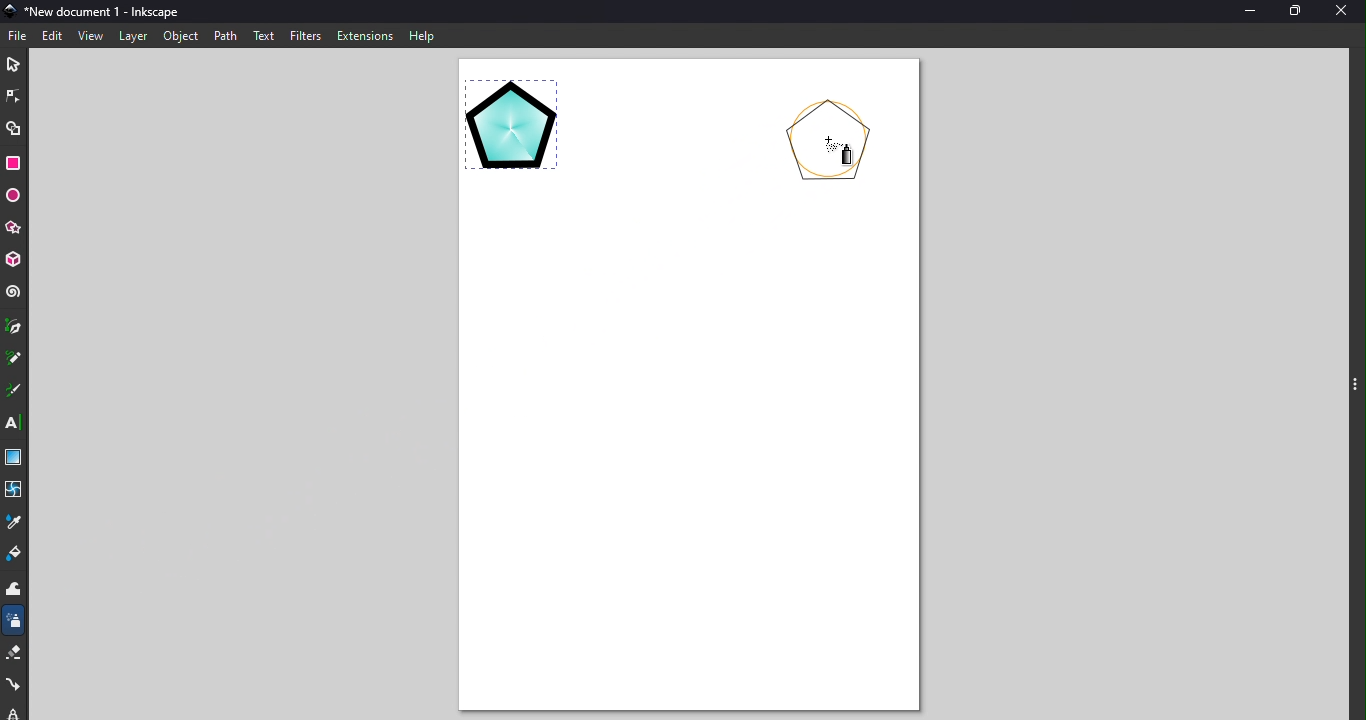 The height and width of the screenshot is (720, 1366). What do you see at coordinates (1353, 387) in the screenshot?
I see `Toggle command panel` at bounding box center [1353, 387].